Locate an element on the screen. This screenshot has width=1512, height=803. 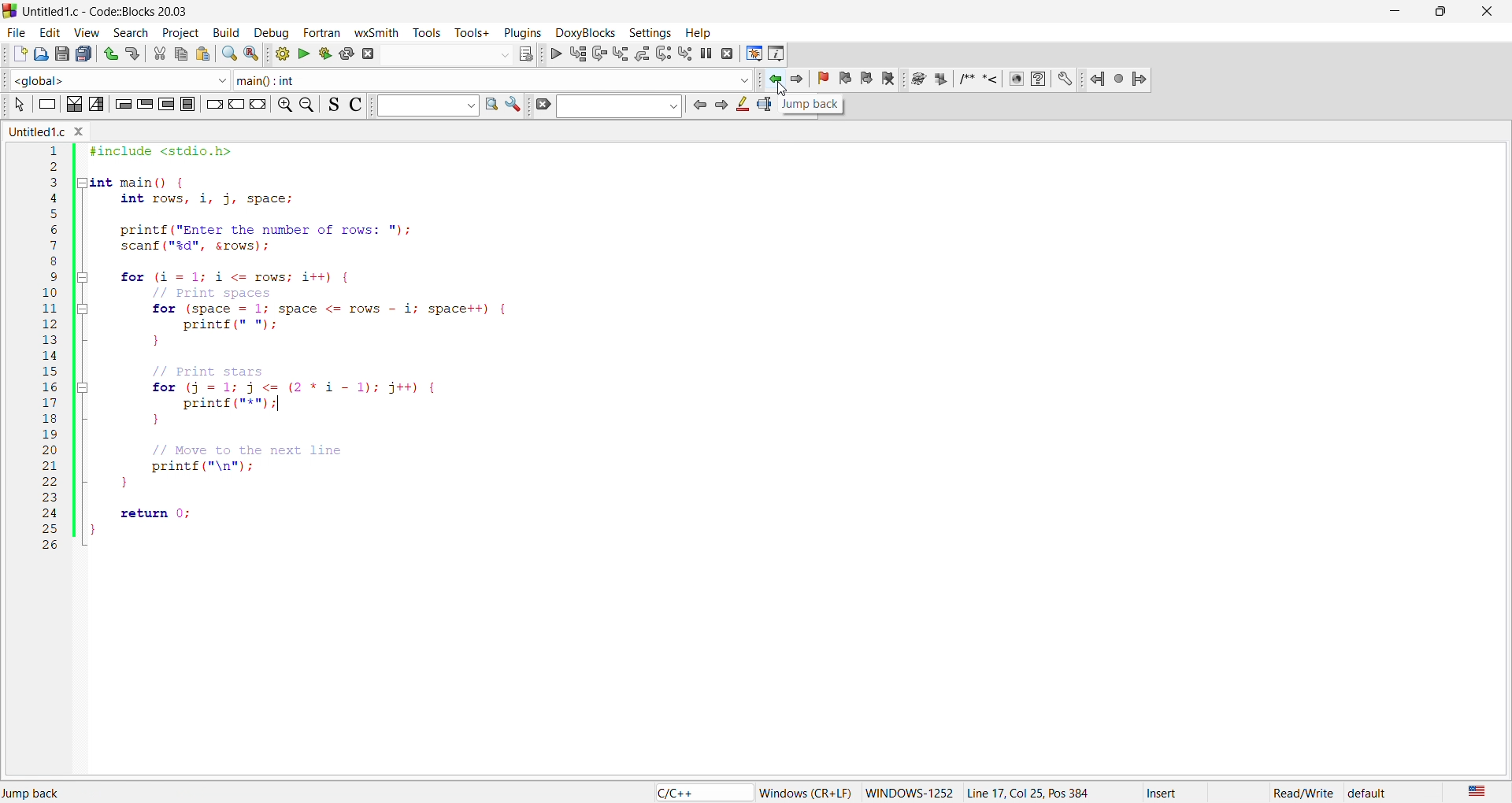
c/c++ is located at coordinates (696, 790).